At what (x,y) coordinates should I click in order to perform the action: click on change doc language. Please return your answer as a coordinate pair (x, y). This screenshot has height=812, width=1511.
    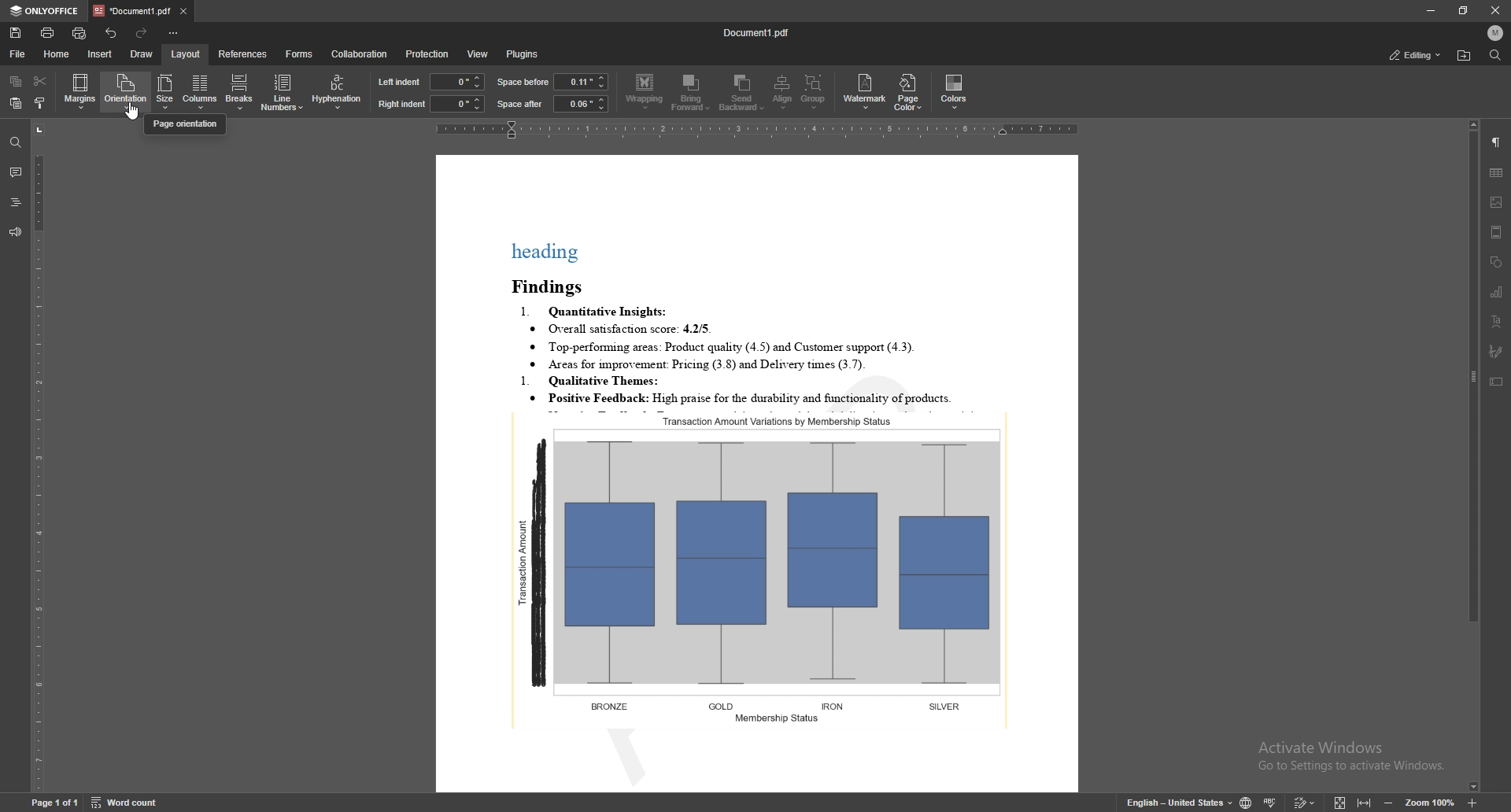
    Looking at the image, I should click on (1247, 801).